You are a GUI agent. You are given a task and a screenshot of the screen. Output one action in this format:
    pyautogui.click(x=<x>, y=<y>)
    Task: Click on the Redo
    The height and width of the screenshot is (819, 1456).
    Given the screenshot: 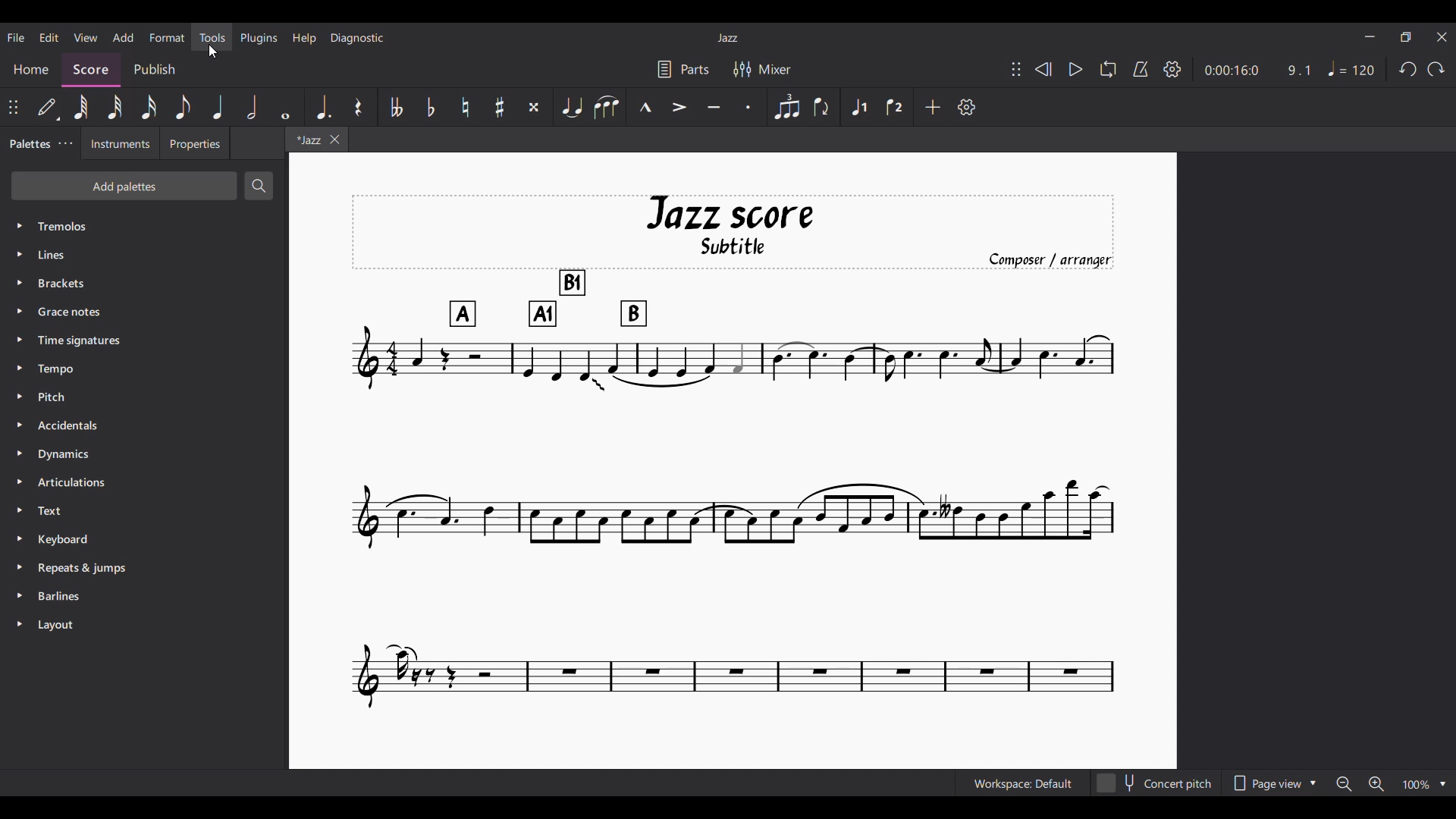 What is the action you would take?
    pyautogui.click(x=1436, y=69)
    